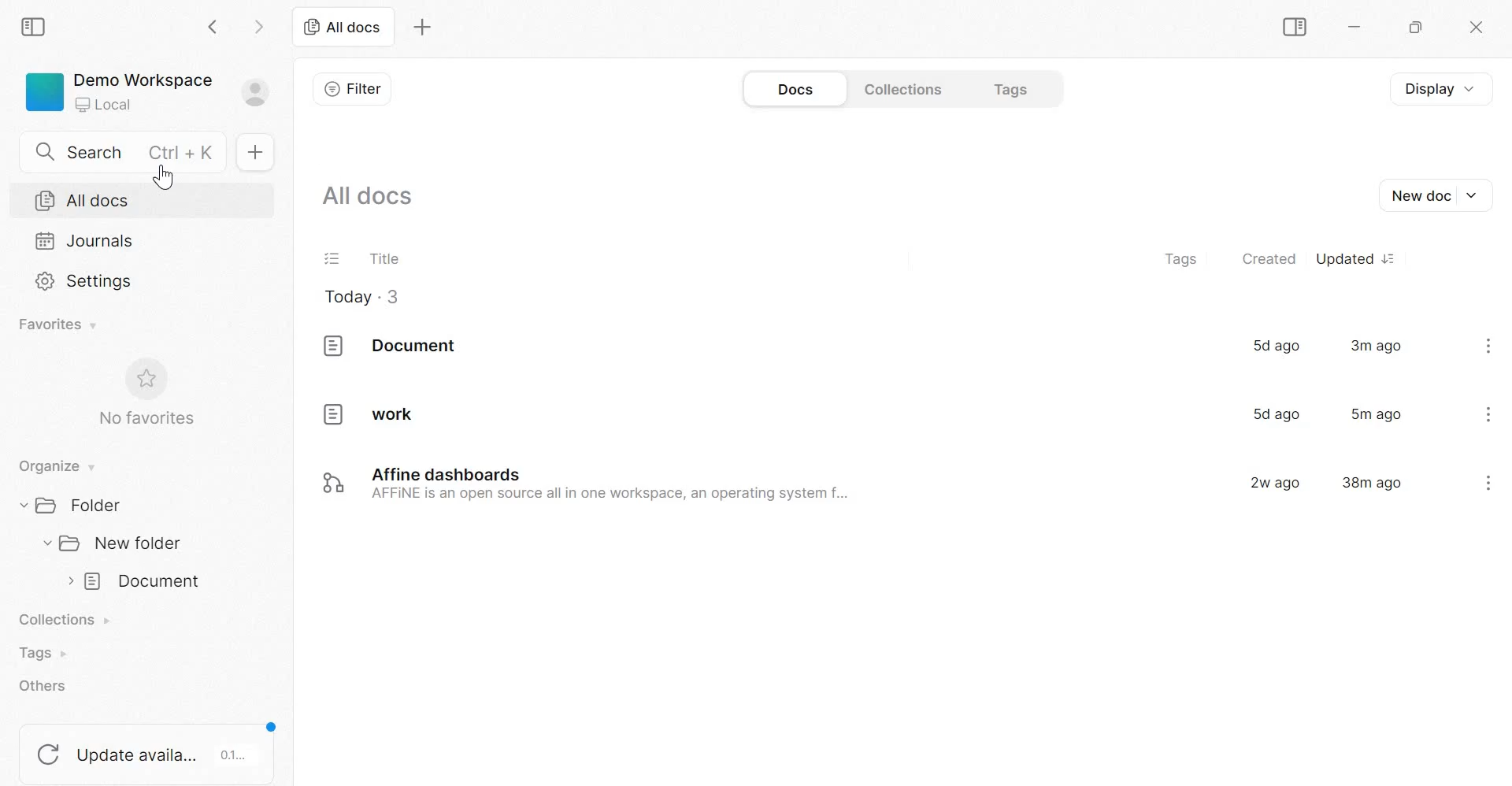 Image resolution: width=1512 pixels, height=786 pixels. I want to click on New doc, so click(1433, 195).